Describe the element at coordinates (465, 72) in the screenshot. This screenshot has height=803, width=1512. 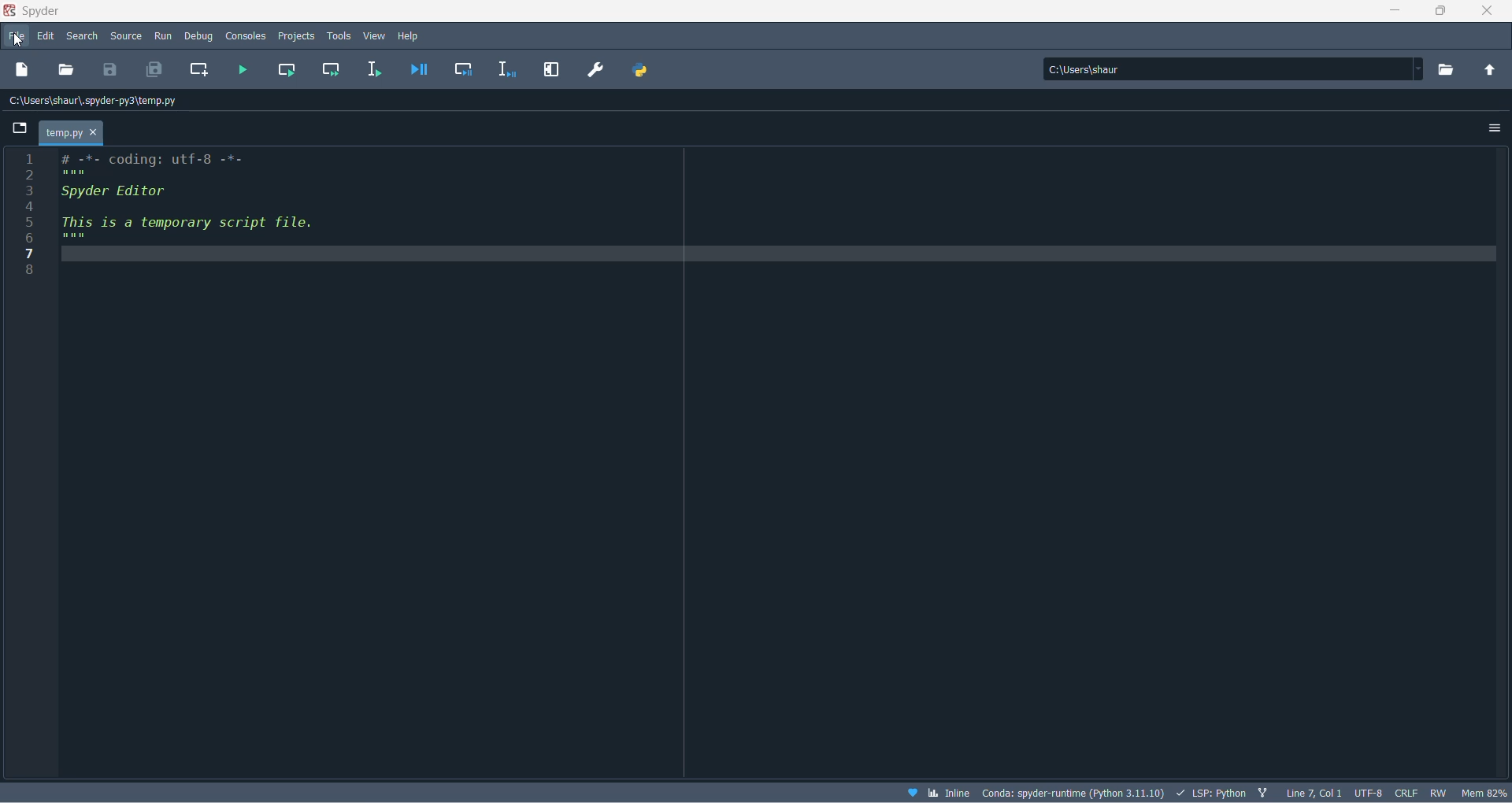
I see `debug cell` at that location.